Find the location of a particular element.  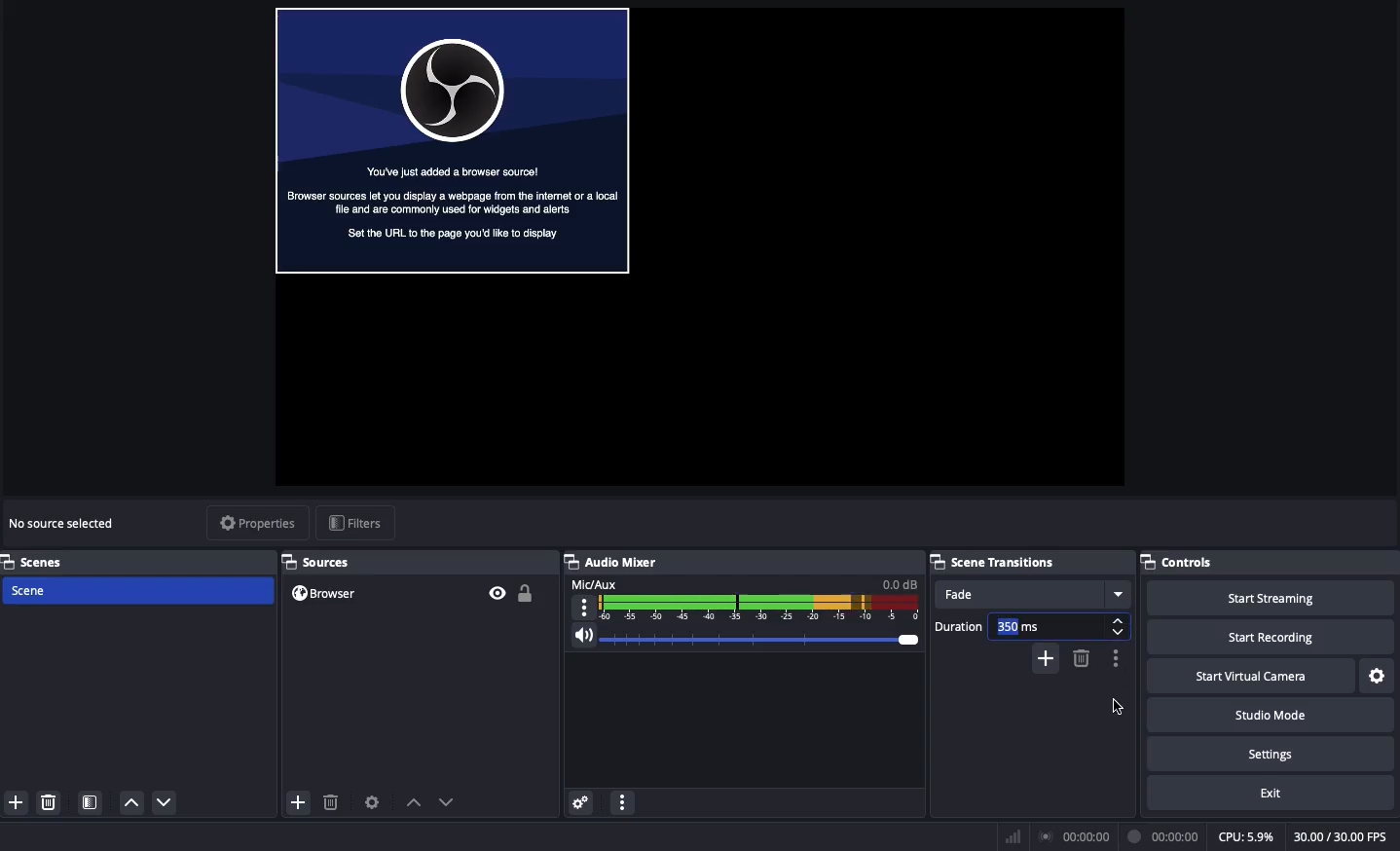

delete is located at coordinates (338, 803).